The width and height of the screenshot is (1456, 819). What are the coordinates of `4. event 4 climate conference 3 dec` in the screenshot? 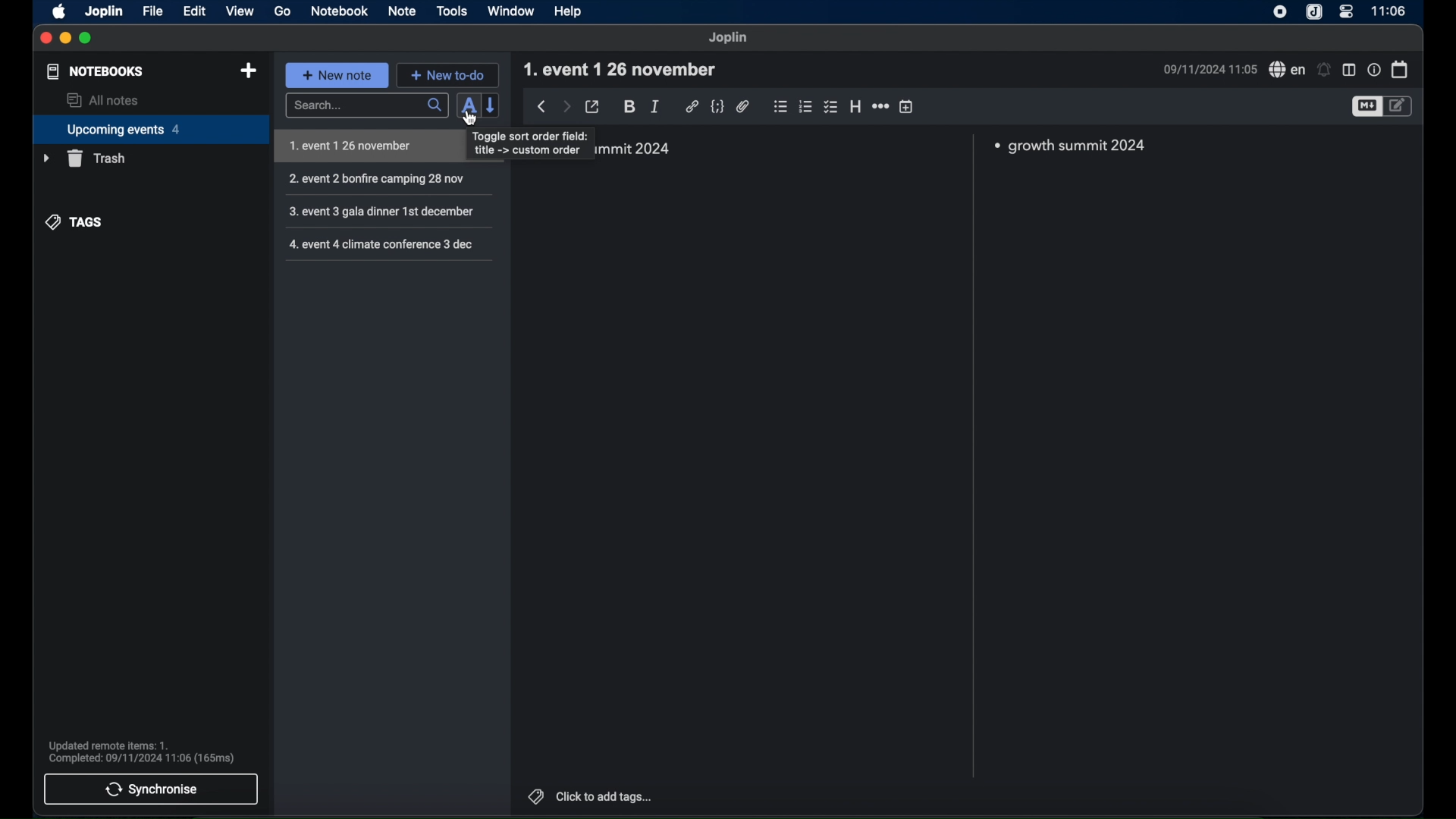 It's located at (384, 246).